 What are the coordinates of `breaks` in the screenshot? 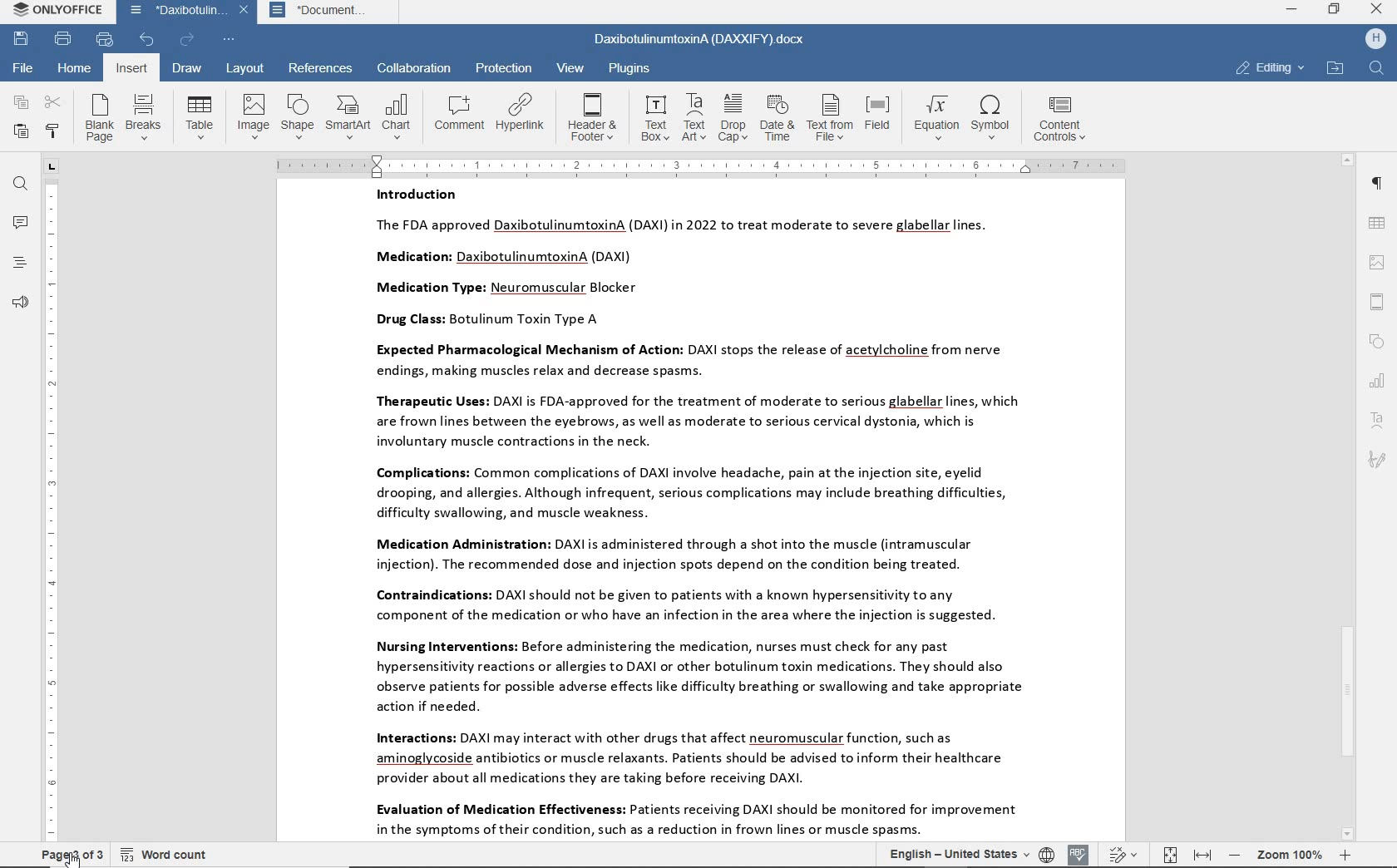 It's located at (143, 116).